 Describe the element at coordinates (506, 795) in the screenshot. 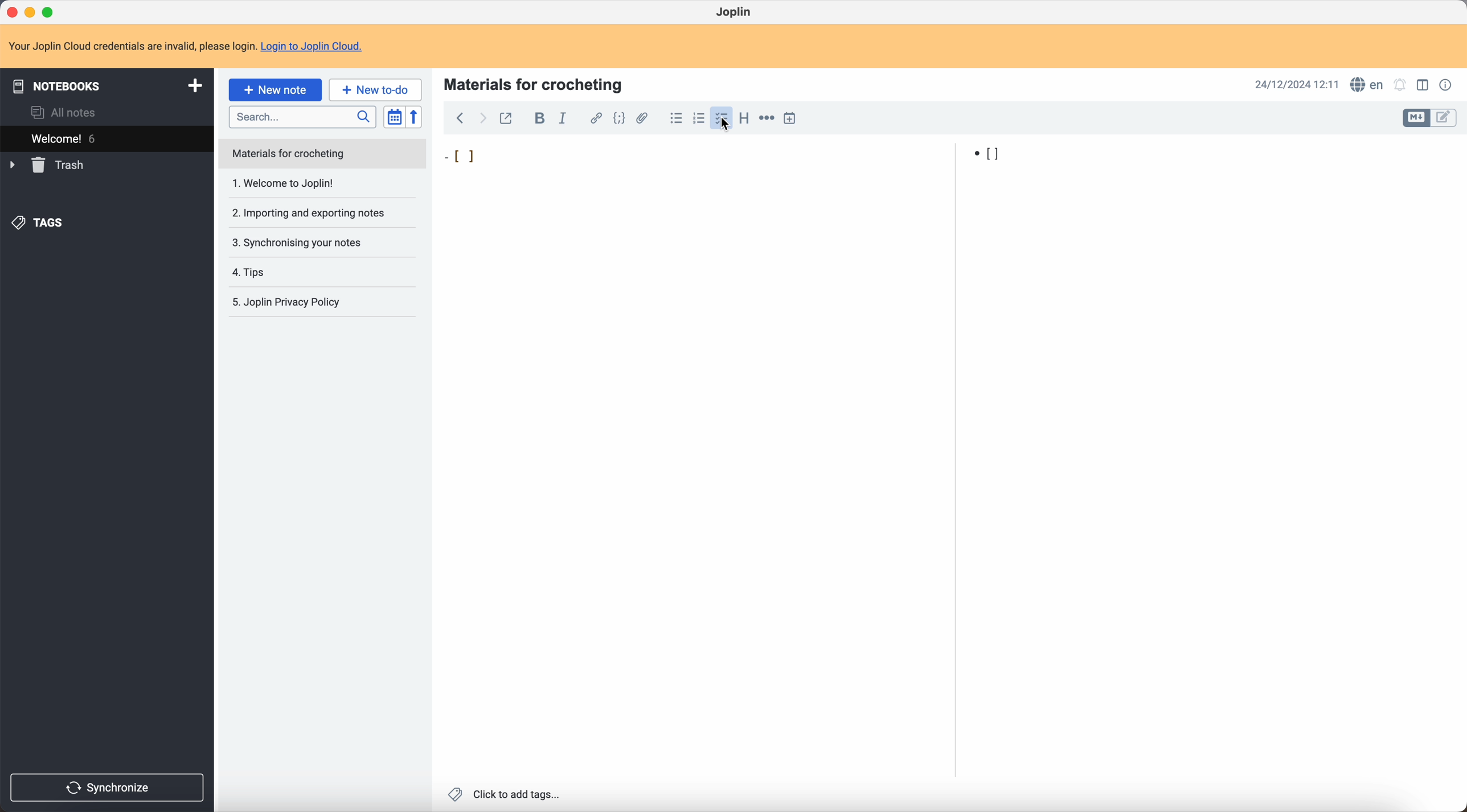

I see `click to add tags` at that location.